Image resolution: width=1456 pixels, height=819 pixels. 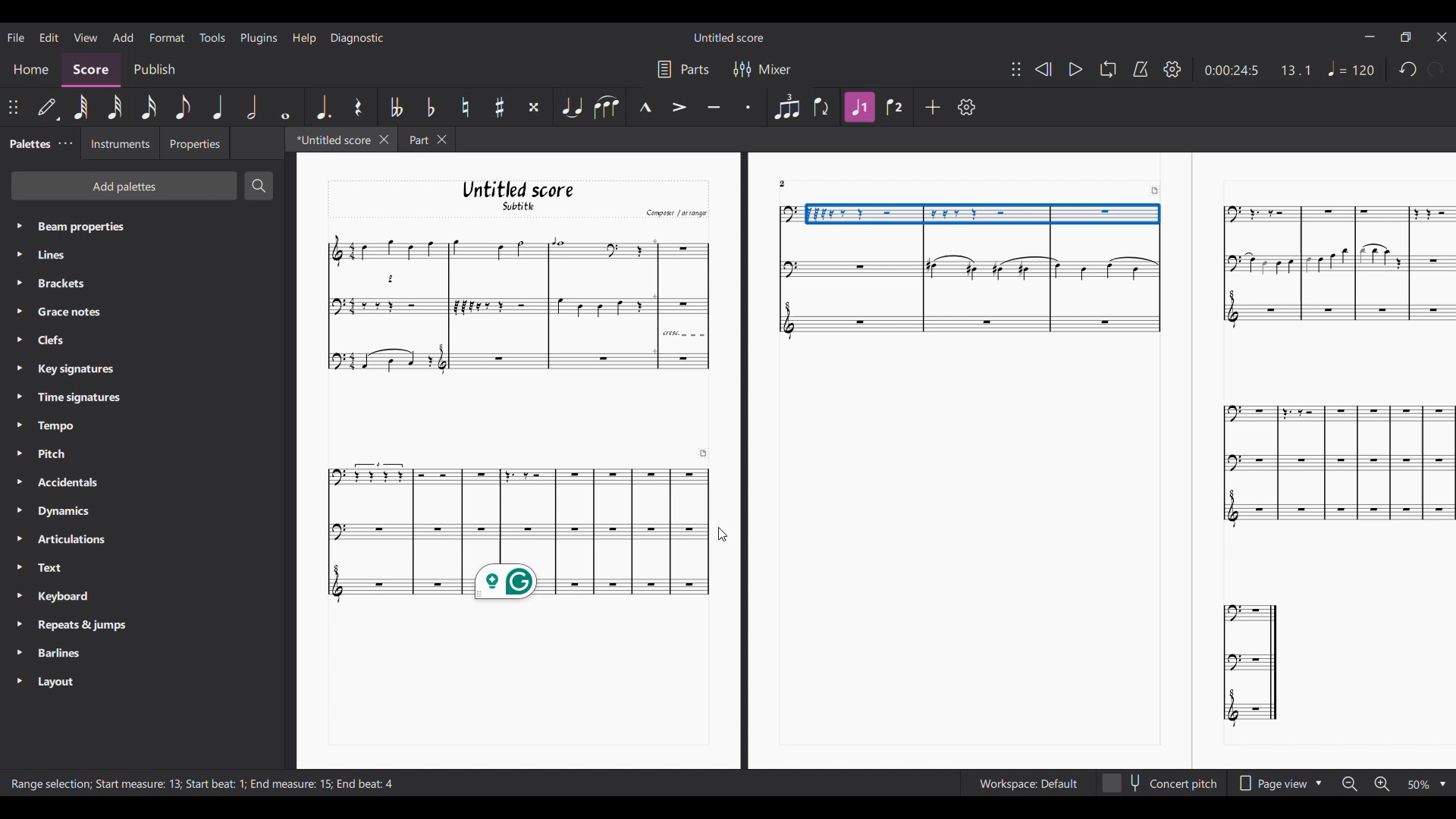 I want to click on »  Clefs, so click(x=55, y=340).